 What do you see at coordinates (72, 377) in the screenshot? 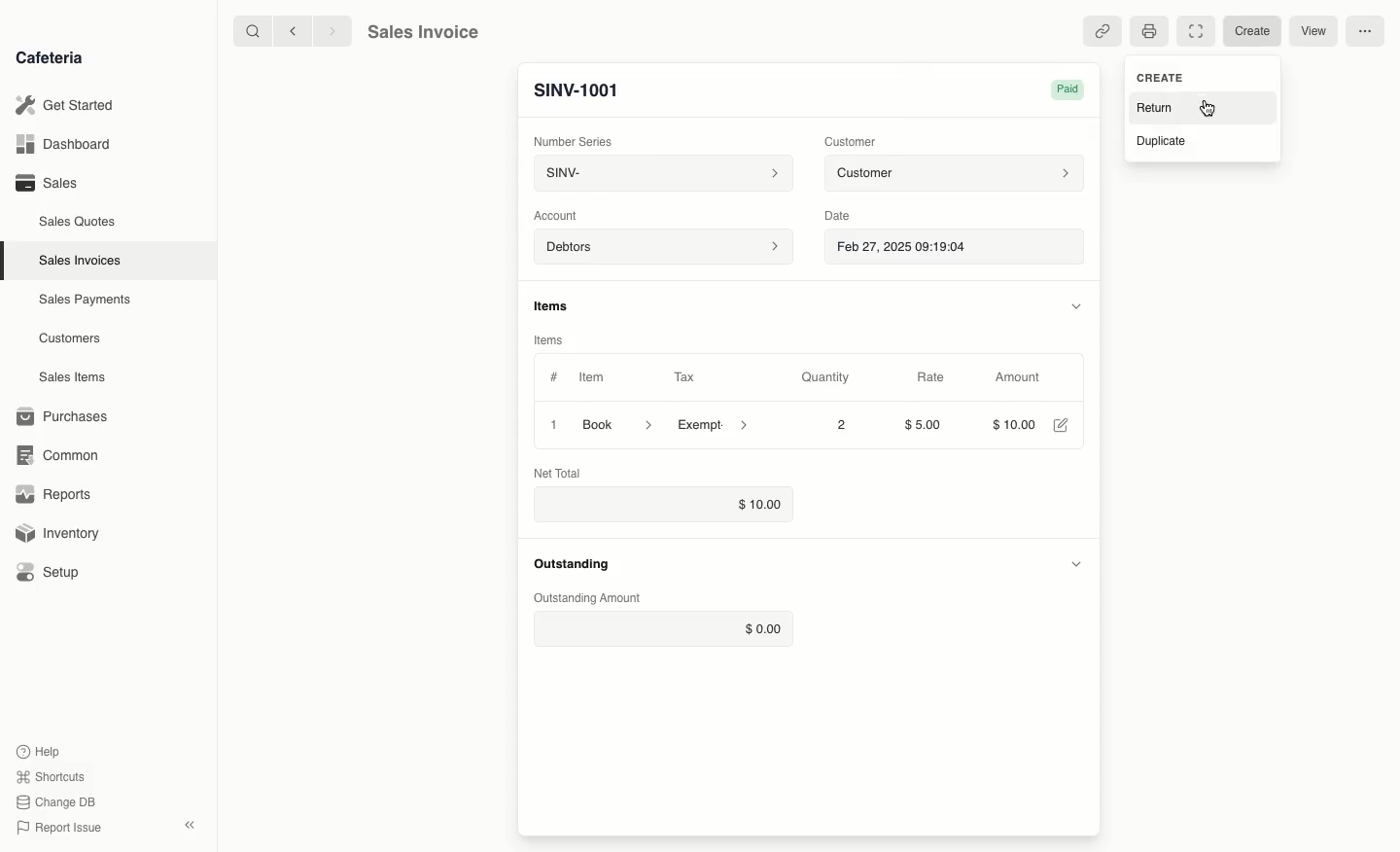
I see `Sales Items` at bounding box center [72, 377].